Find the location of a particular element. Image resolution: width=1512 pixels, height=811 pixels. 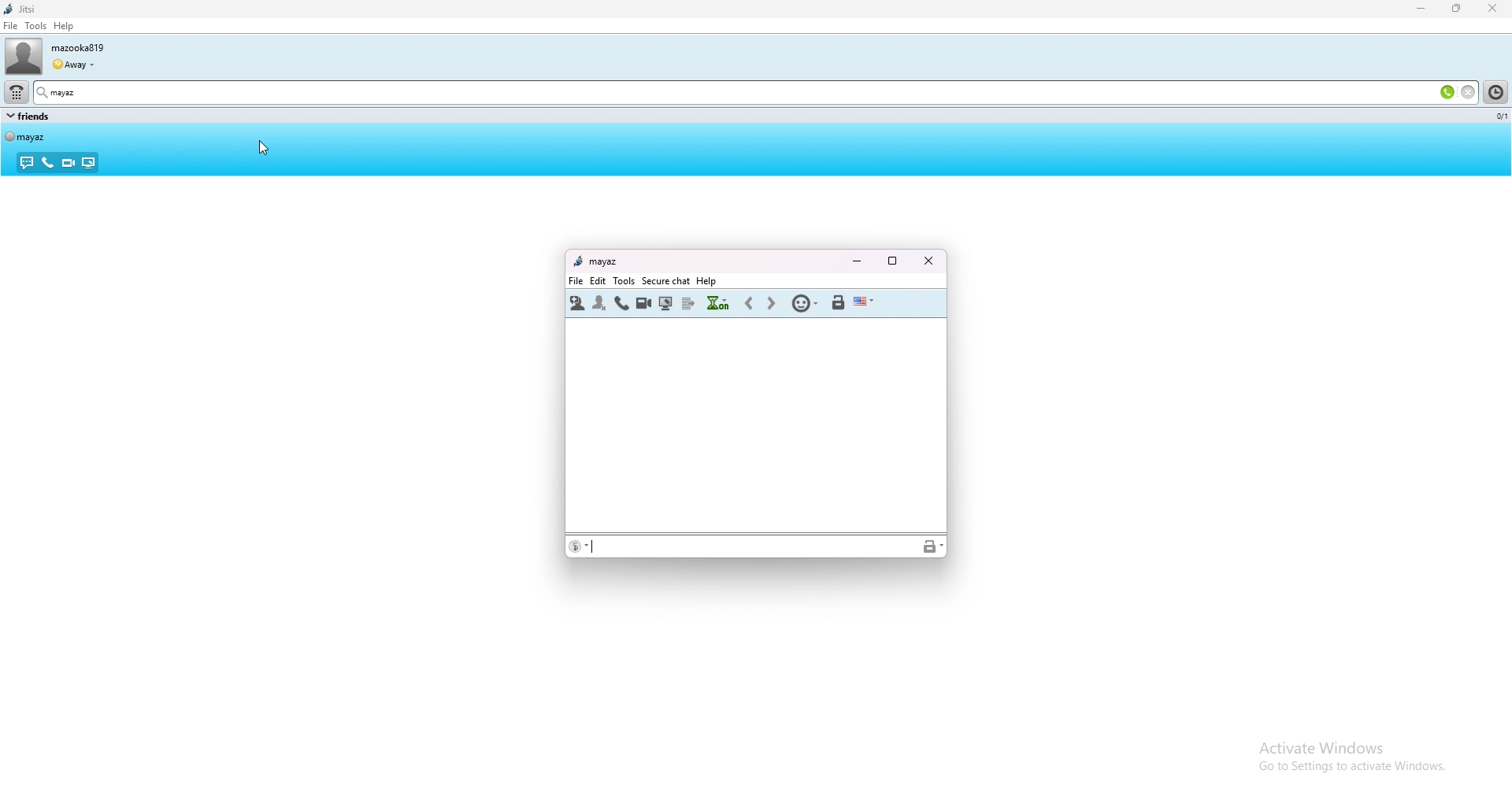

tools is located at coordinates (626, 281).